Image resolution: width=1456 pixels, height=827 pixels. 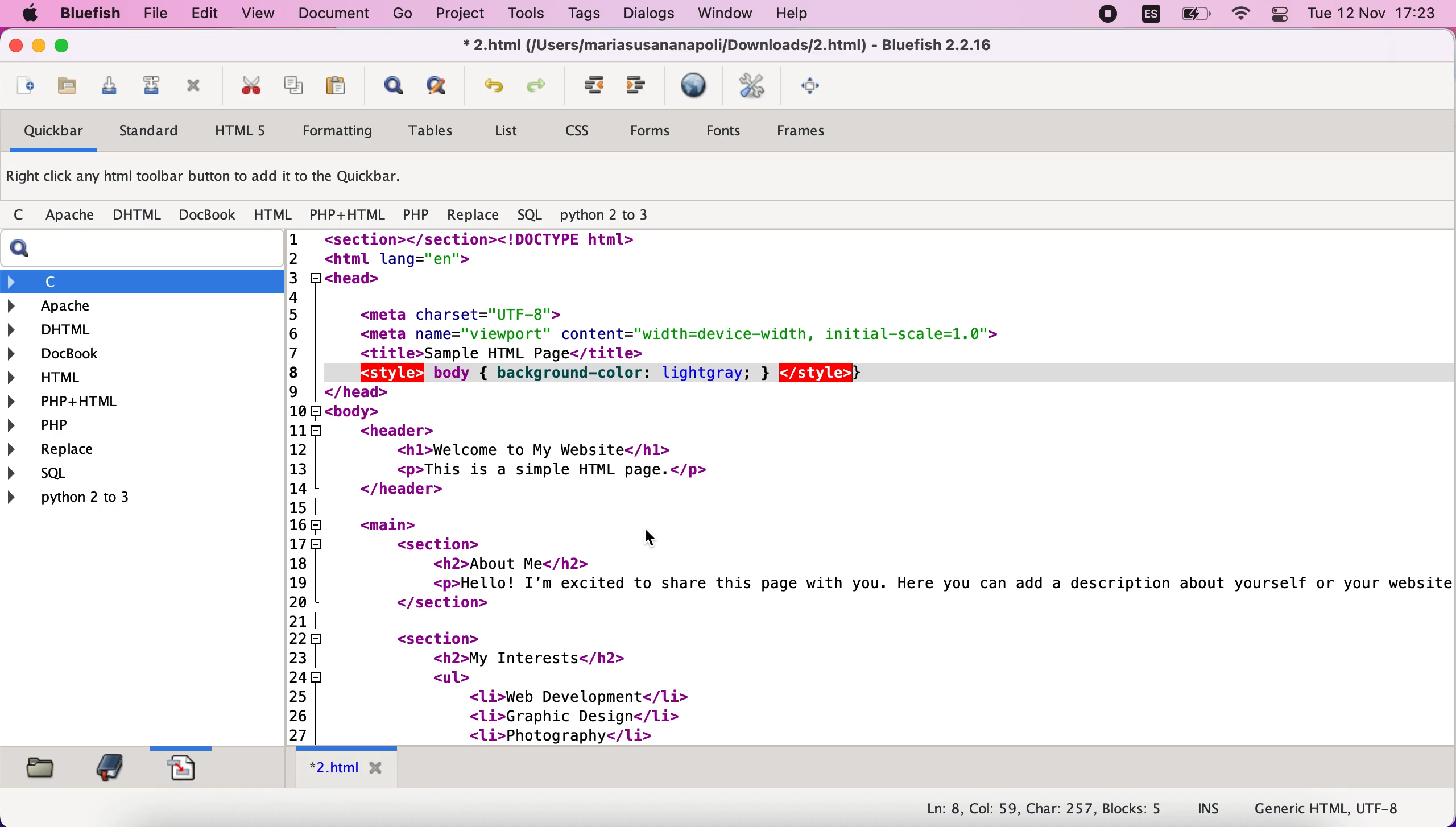 I want to click on language, so click(x=1151, y=17).